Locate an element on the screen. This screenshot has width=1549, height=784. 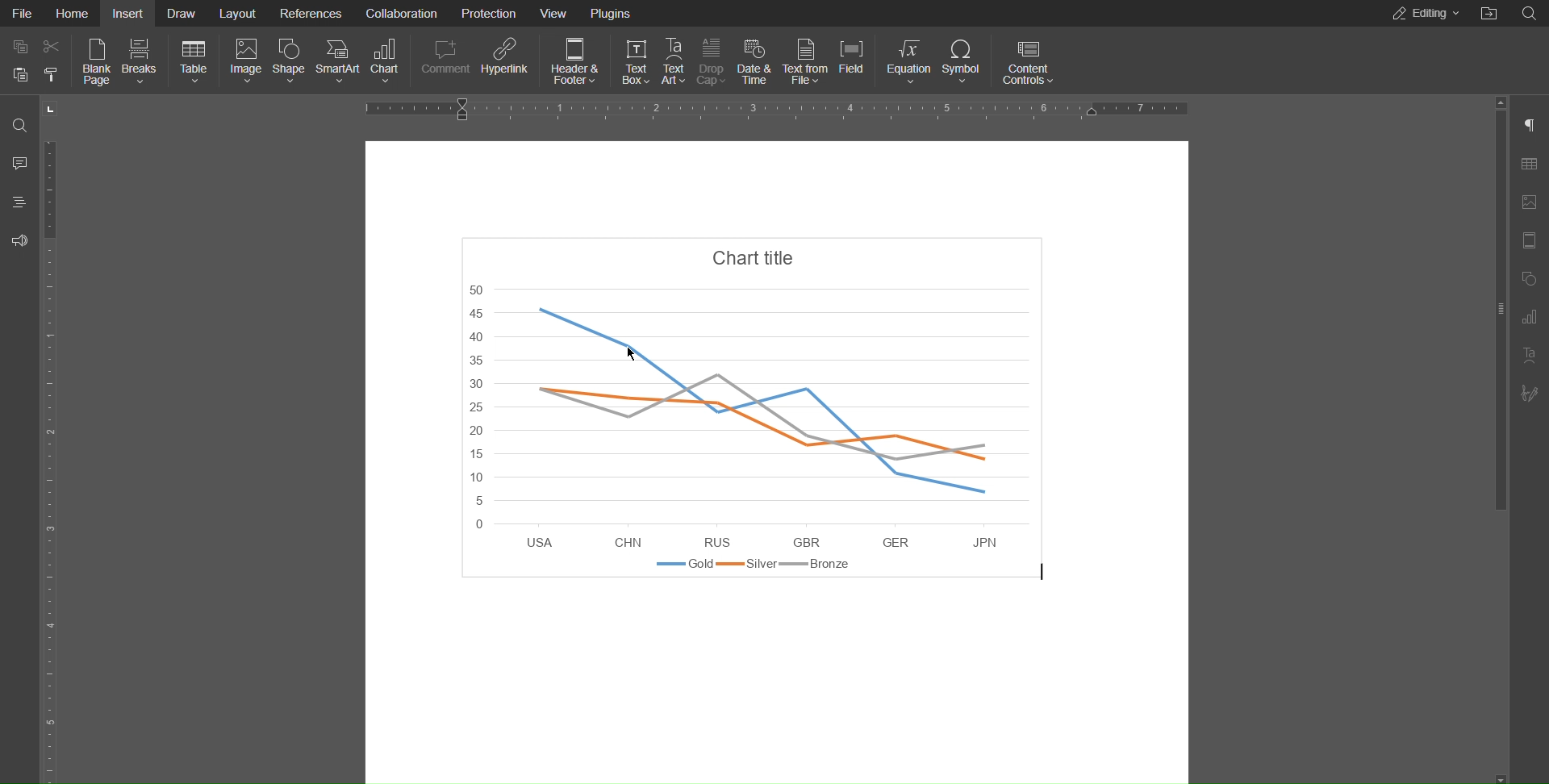
Breaks is located at coordinates (140, 63).